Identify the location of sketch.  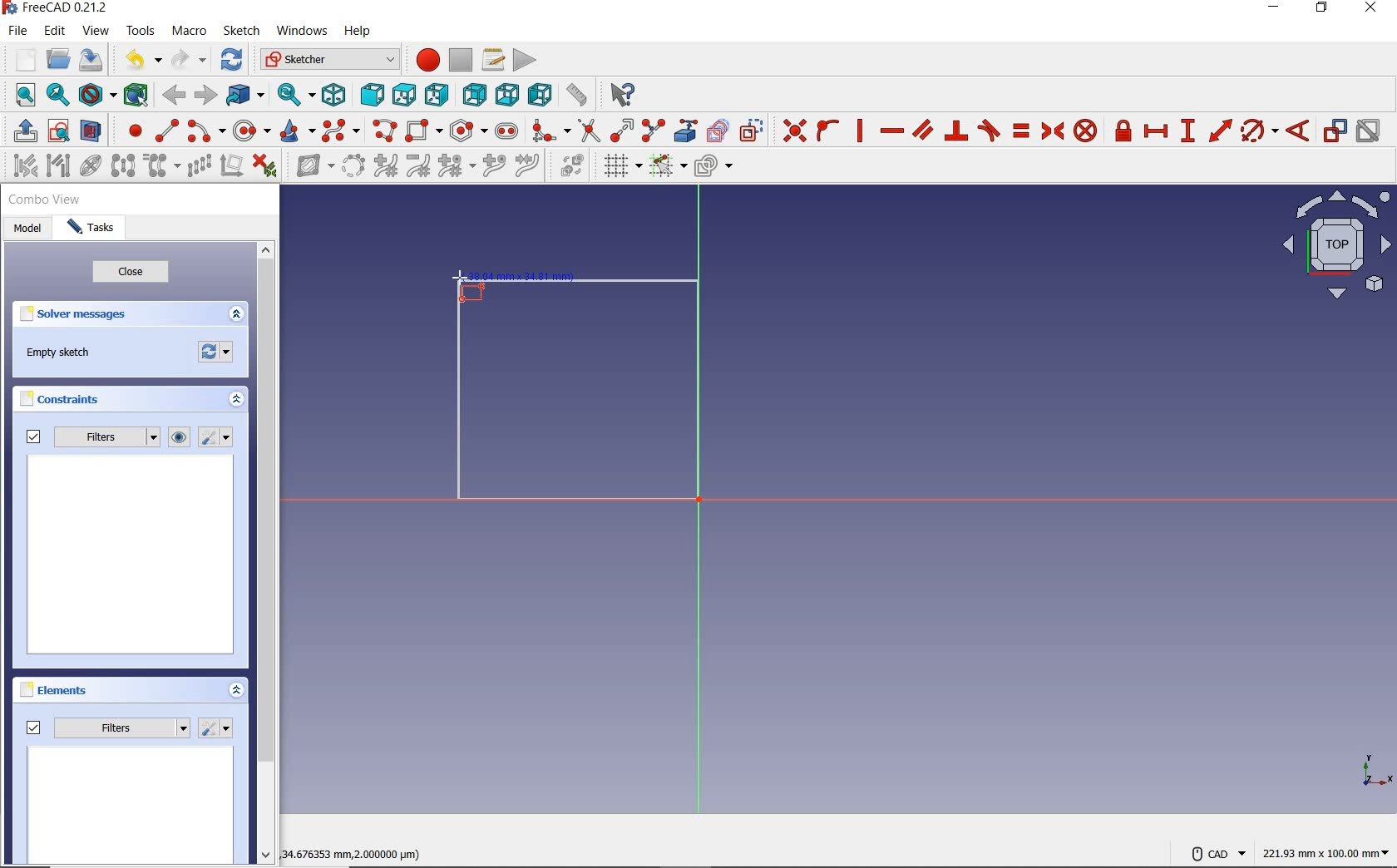
(242, 31).